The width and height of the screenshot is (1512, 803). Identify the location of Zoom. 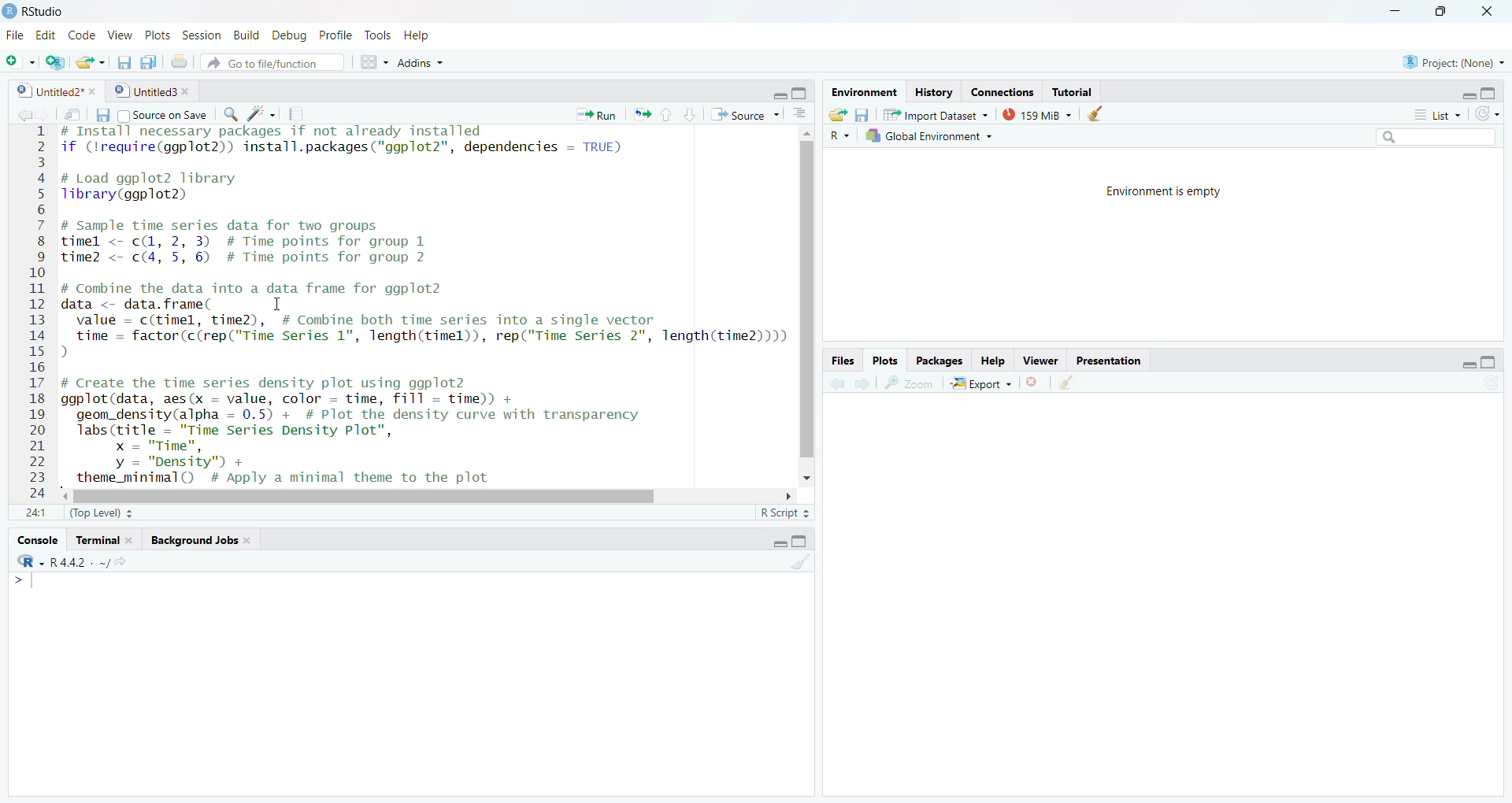
(909, 383).